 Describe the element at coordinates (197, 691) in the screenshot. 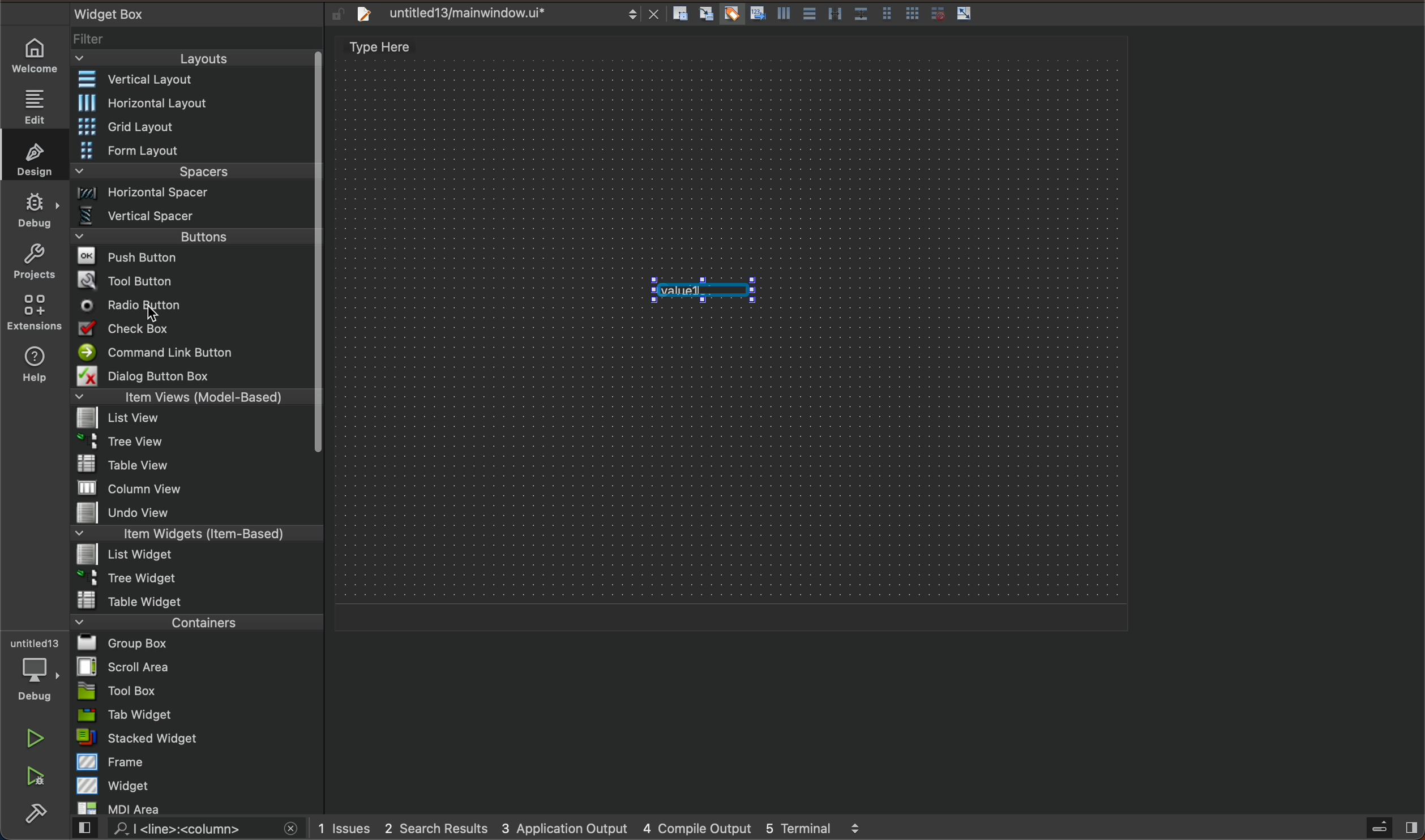

I see `tool box` at that location.